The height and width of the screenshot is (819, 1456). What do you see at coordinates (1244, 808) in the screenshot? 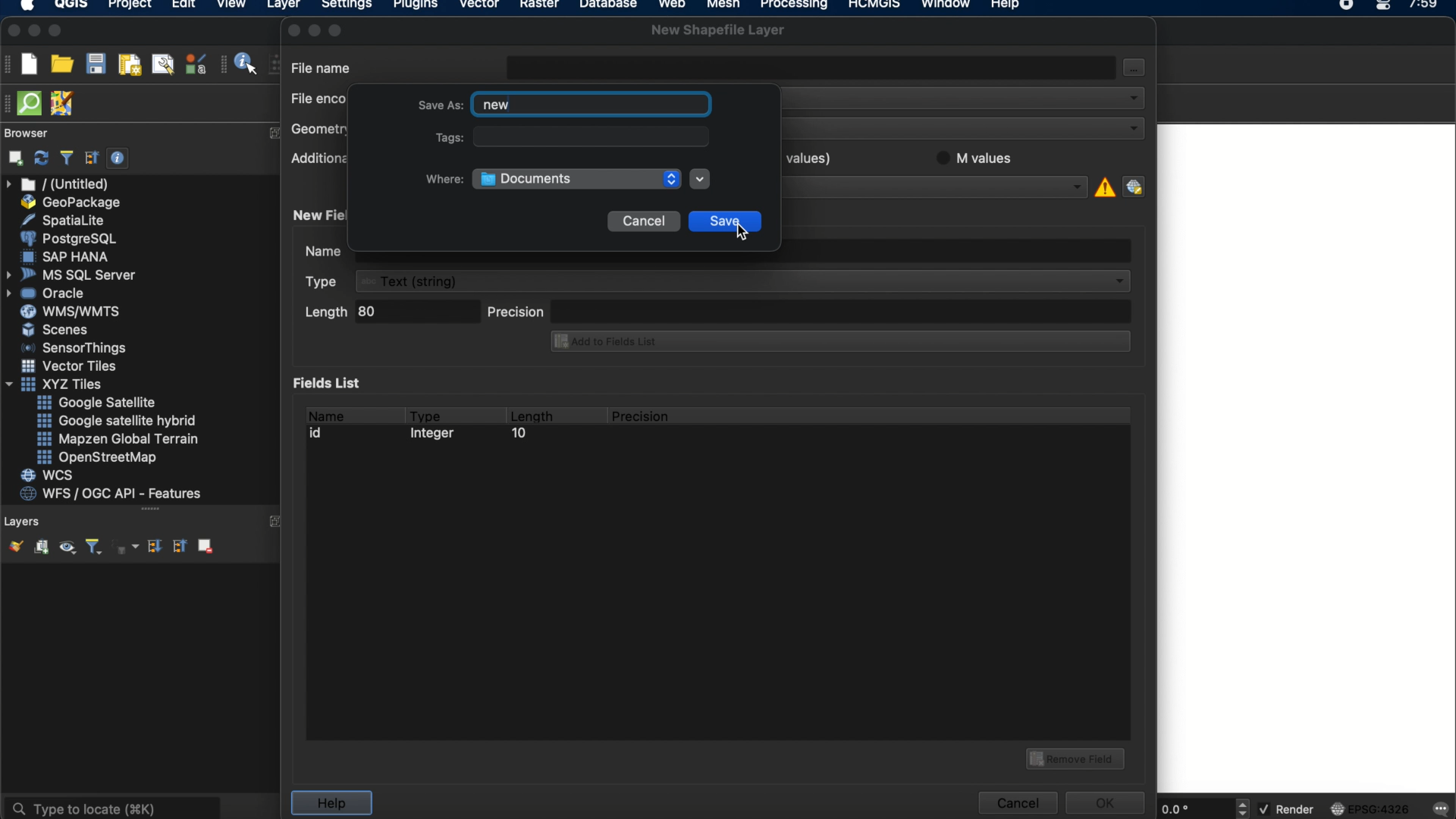
I see `toggle buttons` at bounding box center [1244, 808].